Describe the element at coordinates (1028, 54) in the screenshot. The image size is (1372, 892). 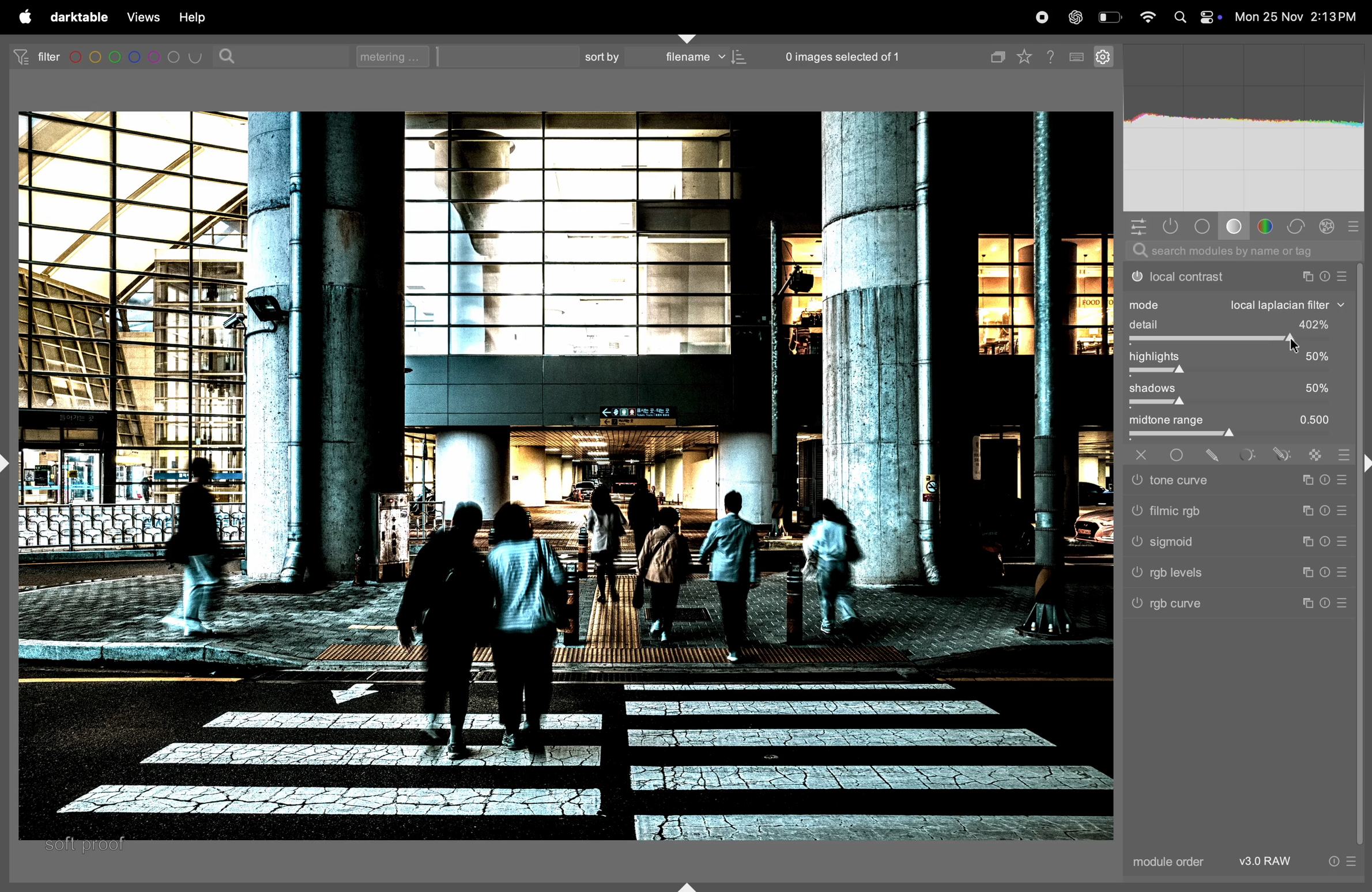
I see `favourites` at that location.